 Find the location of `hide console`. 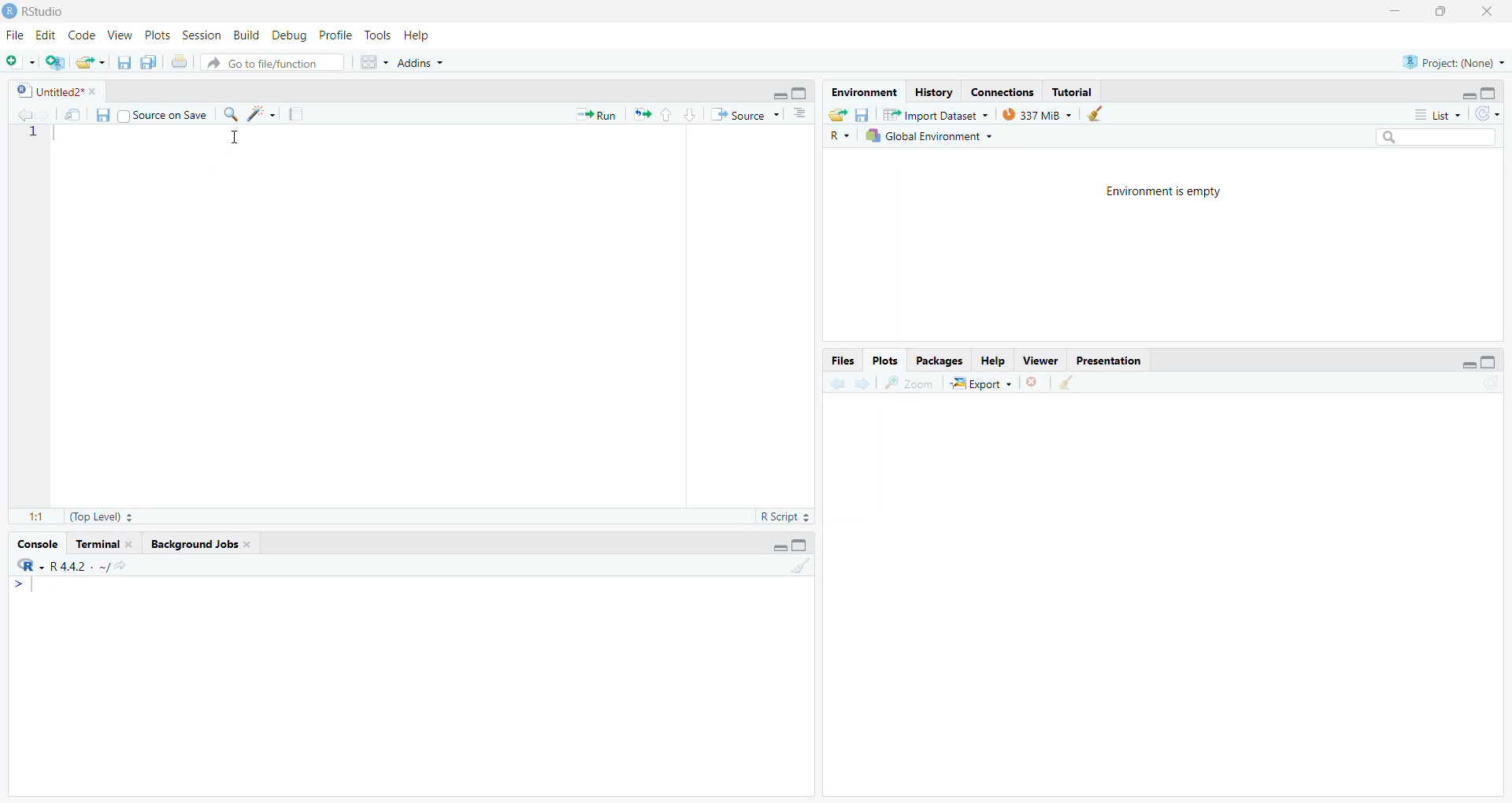

hide console is located at coordinates (1490, 361).